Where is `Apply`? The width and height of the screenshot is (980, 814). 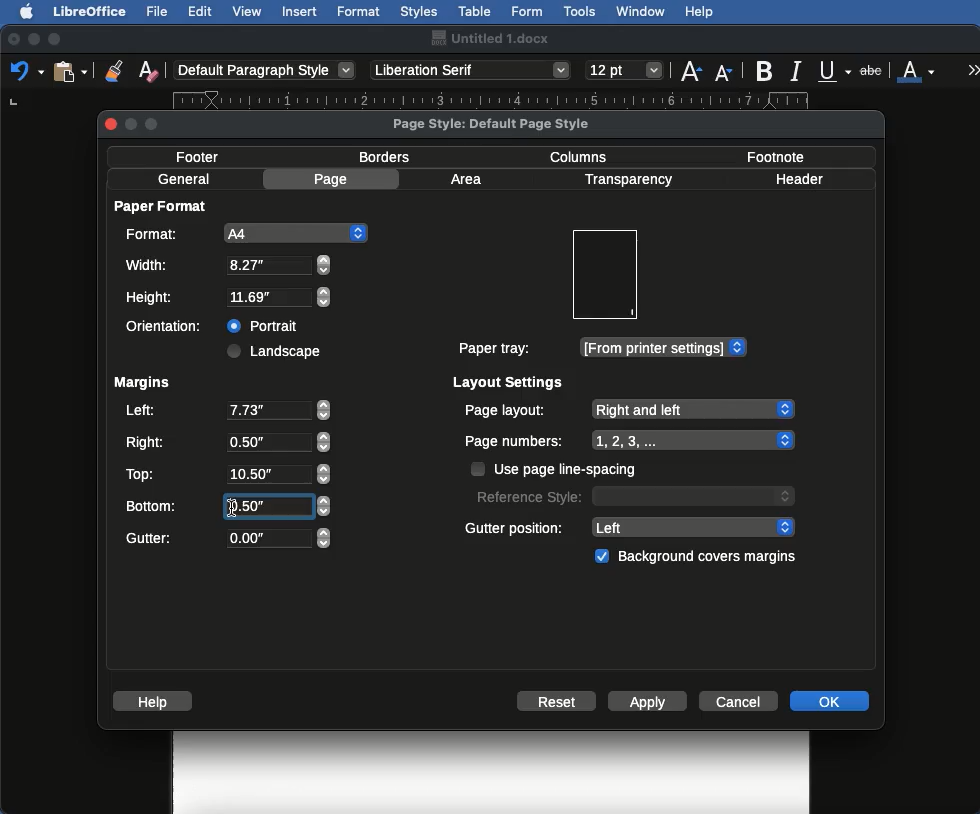 Apply is located at coordinates (648, 703).